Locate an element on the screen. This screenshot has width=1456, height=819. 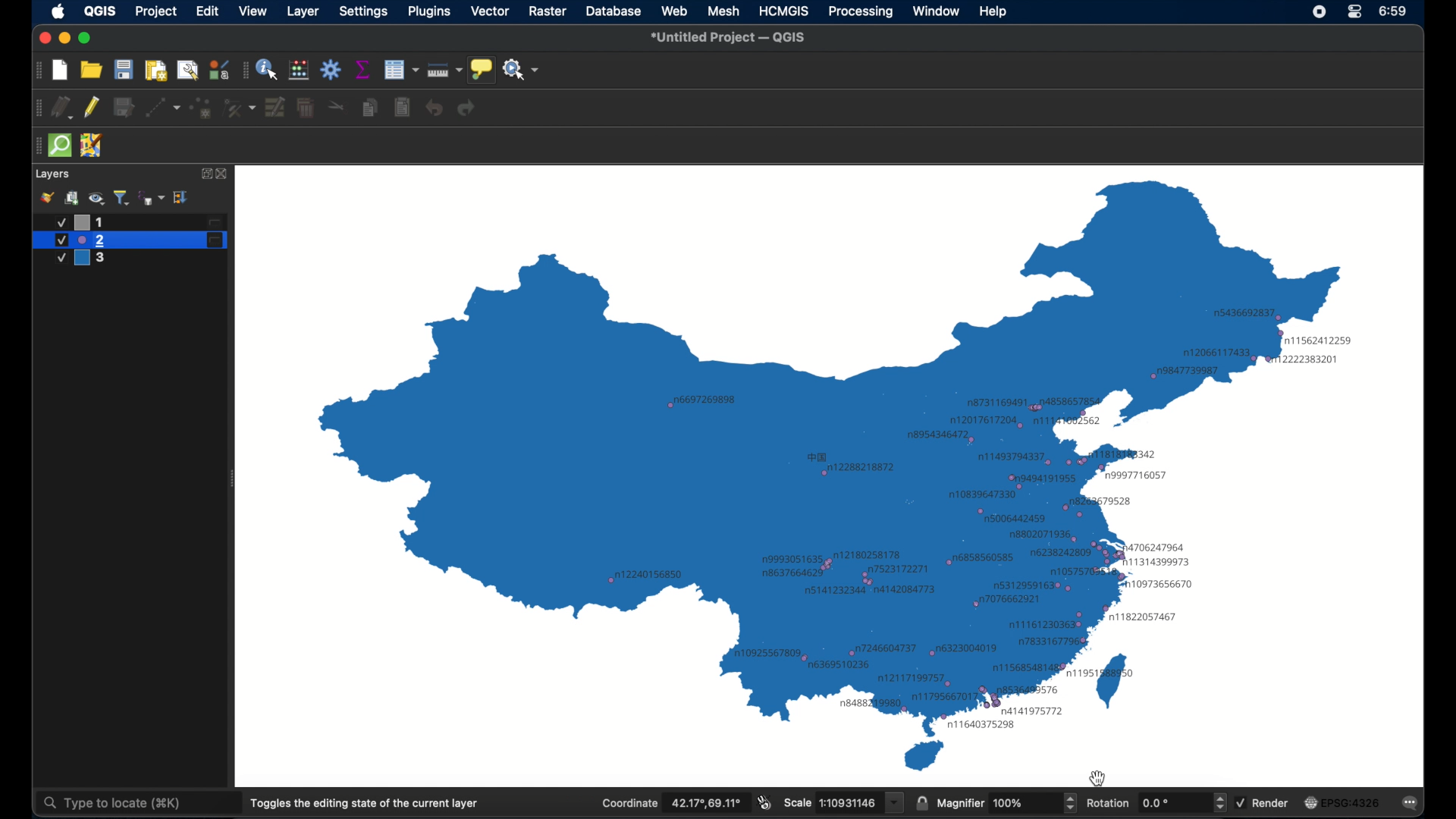
show statistical summary  is located at coordinates (363, 70).